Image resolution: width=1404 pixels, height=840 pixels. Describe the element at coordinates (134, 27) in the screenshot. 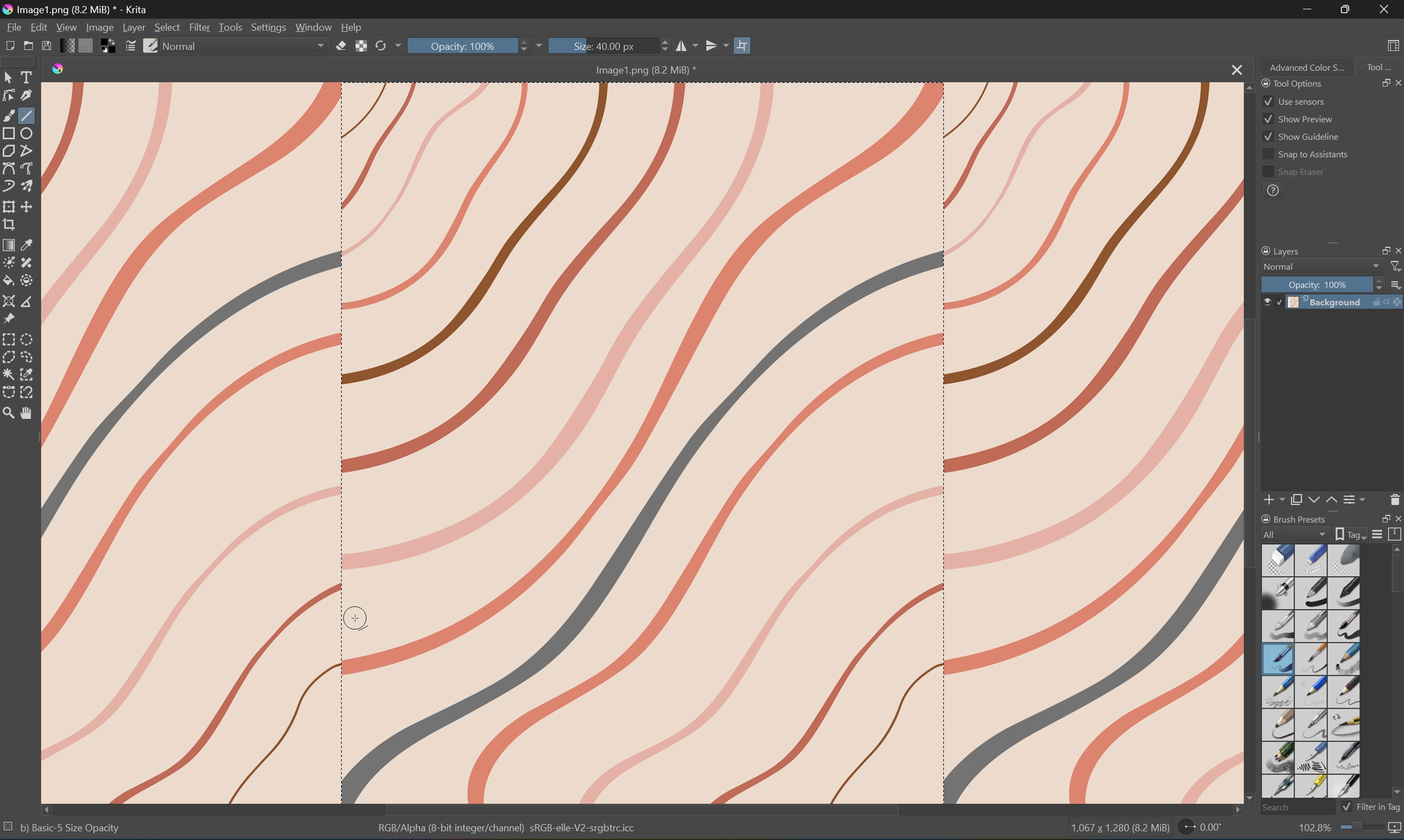

I see `Layer` at that location.